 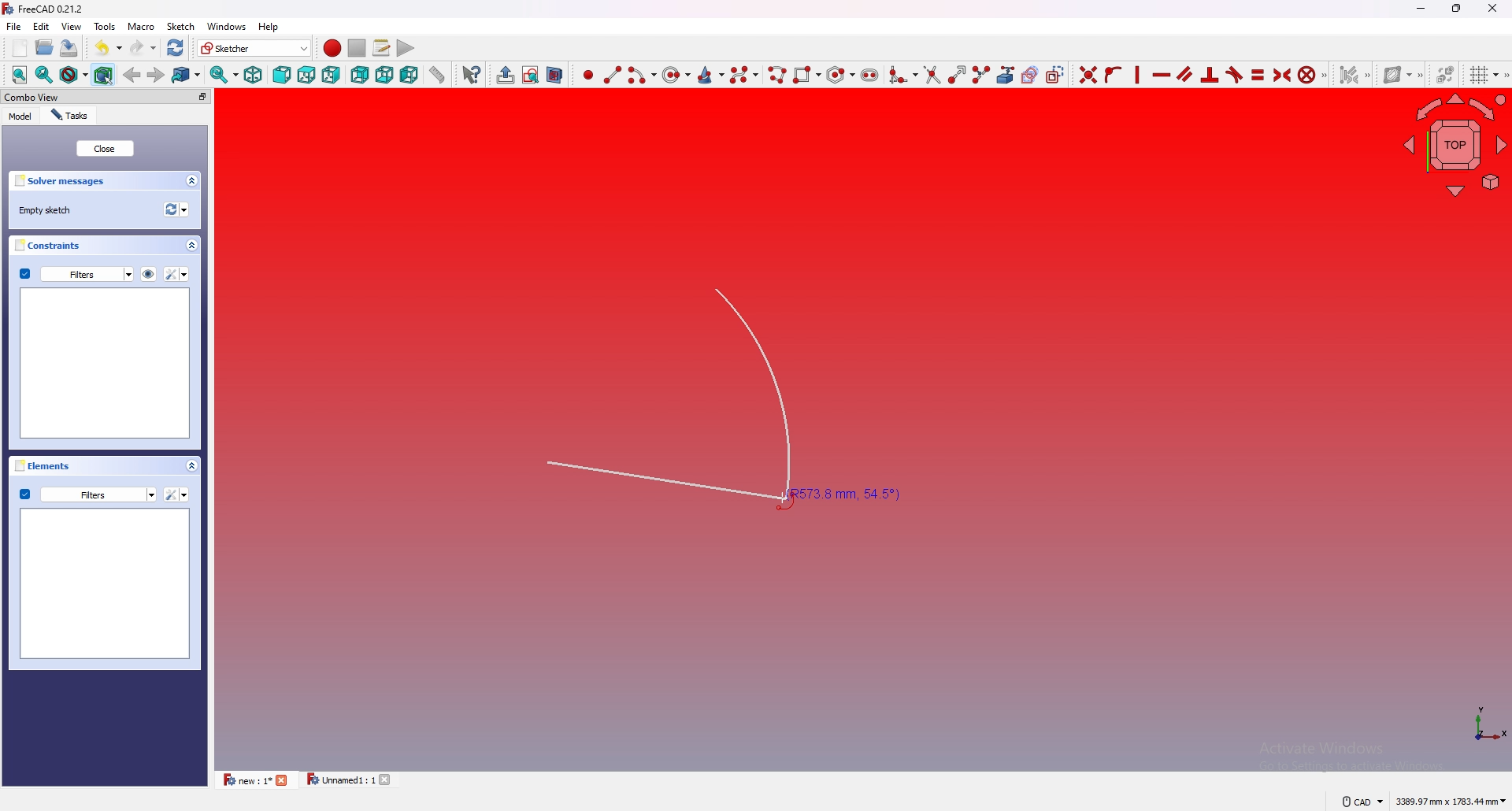 I want to click on cursor, so click(x=781, y=500).